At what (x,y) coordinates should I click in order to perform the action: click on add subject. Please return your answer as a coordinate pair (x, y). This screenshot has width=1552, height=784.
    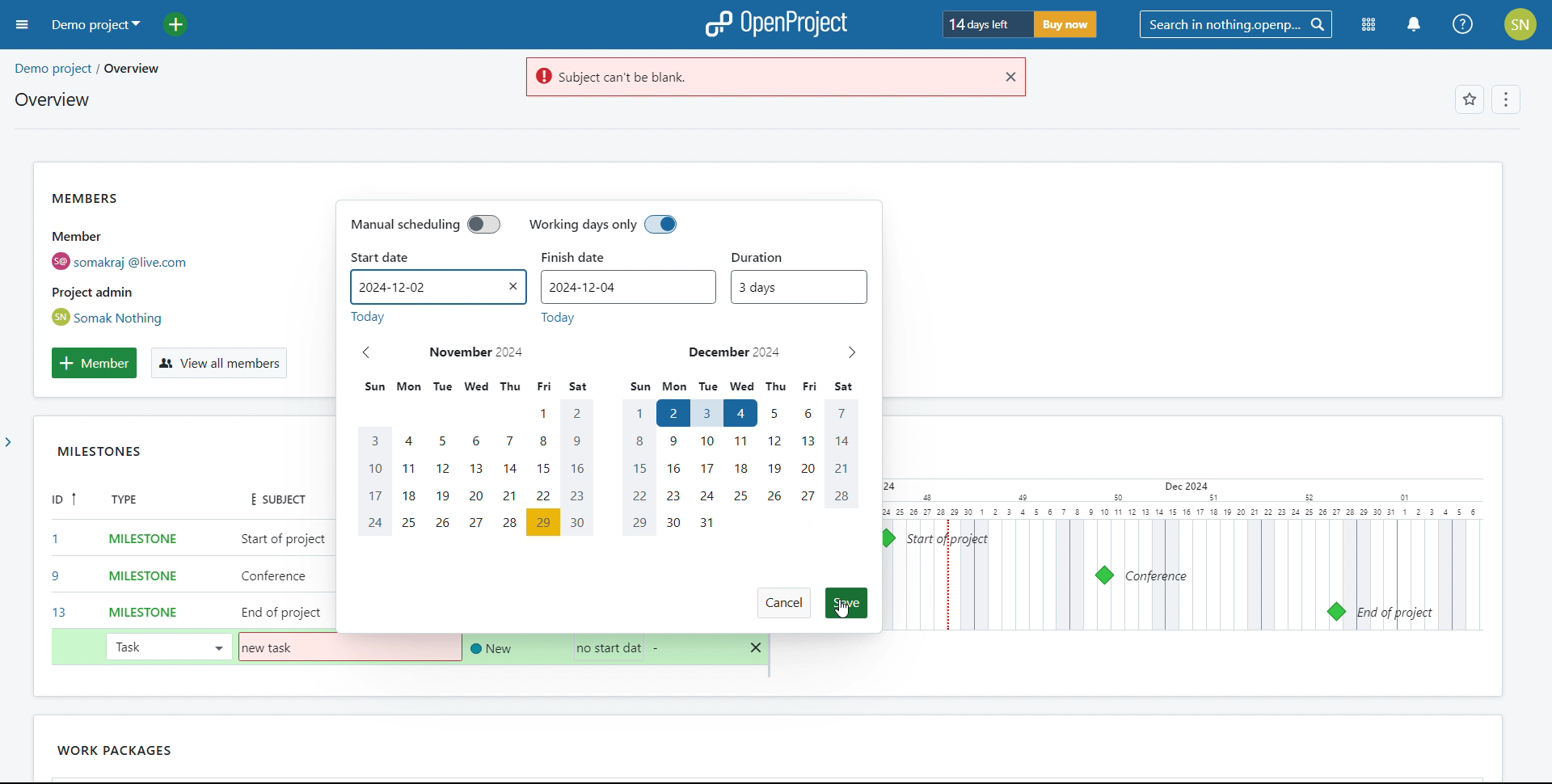
    Looking at the image, I should click on (285, 576).